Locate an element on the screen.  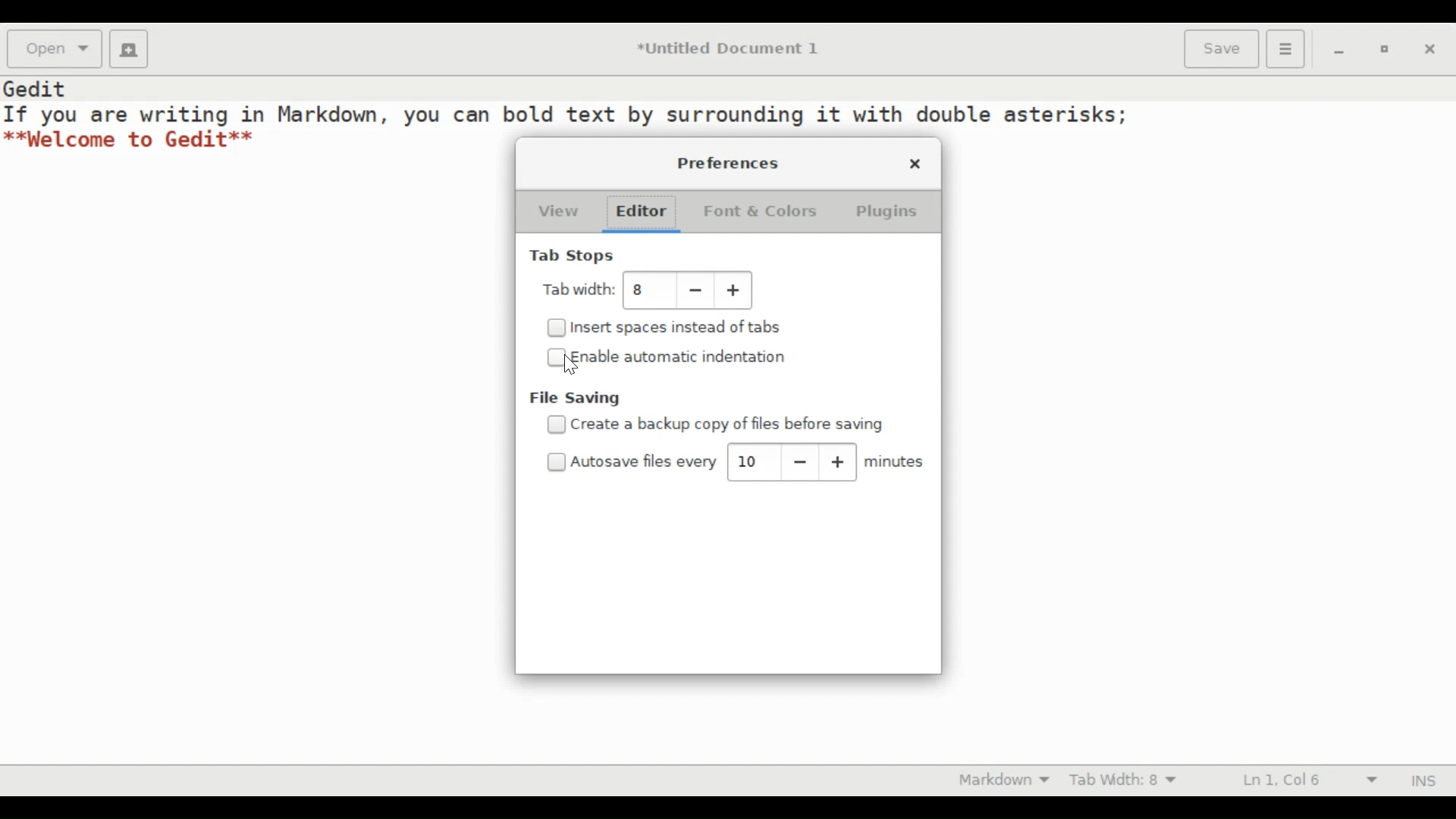
Checkbox is located at coordinates (557, 356).